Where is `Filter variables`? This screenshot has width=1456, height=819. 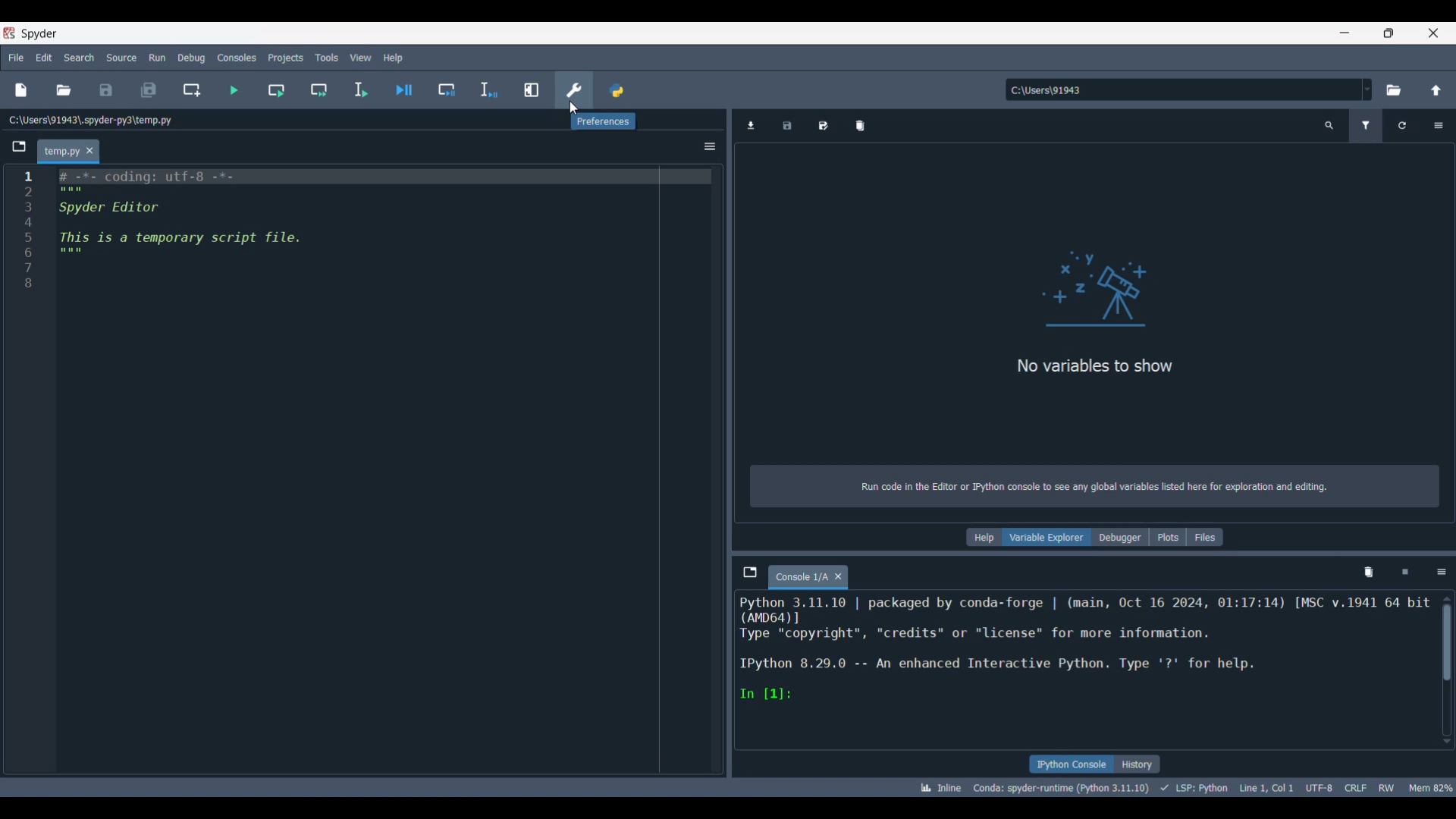
Filter variables is located at coordinates (1366, 126).